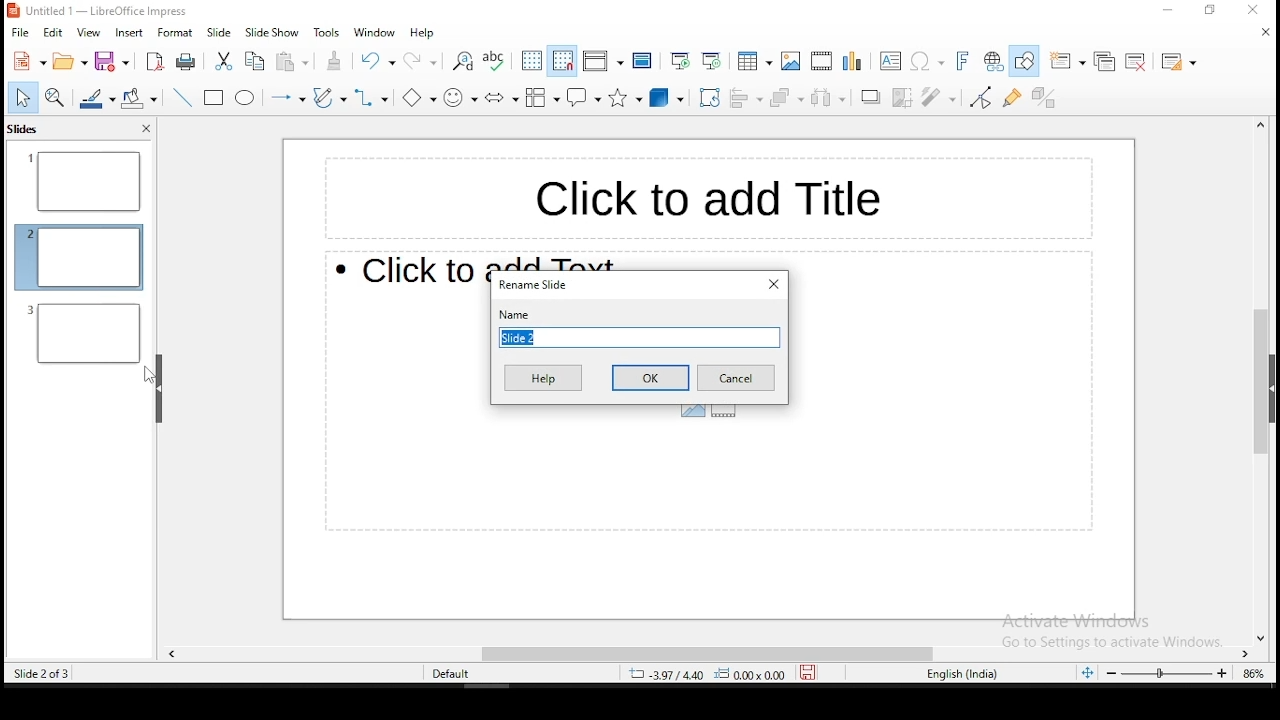 Image resolution: width=1280 pixels, height=720 pixels. Describe the element at coordinates (1259, 10) in the screenshot. I see `close window` at that location.